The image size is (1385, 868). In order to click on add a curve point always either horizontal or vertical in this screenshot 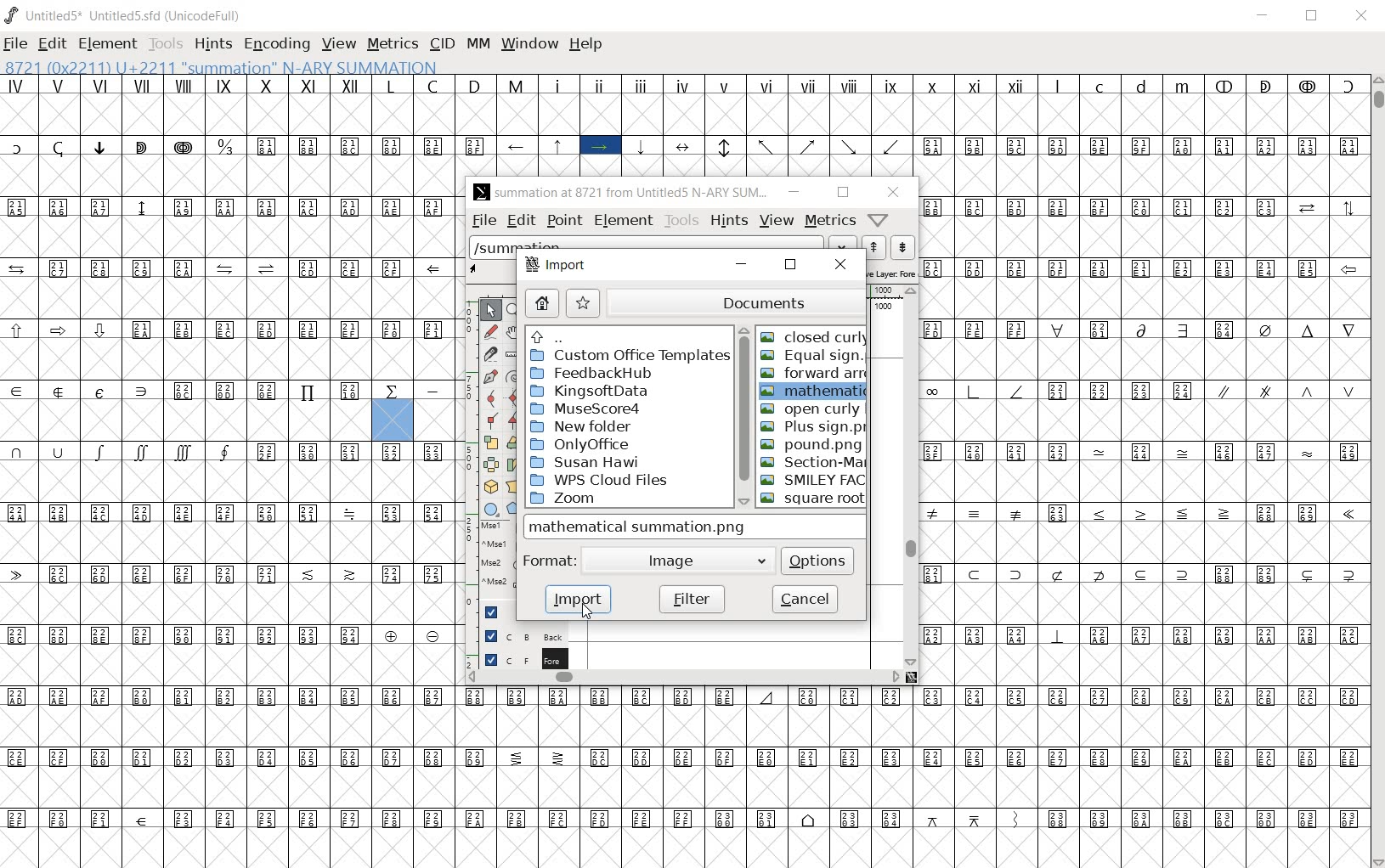, I will do `click(490, 397)`.